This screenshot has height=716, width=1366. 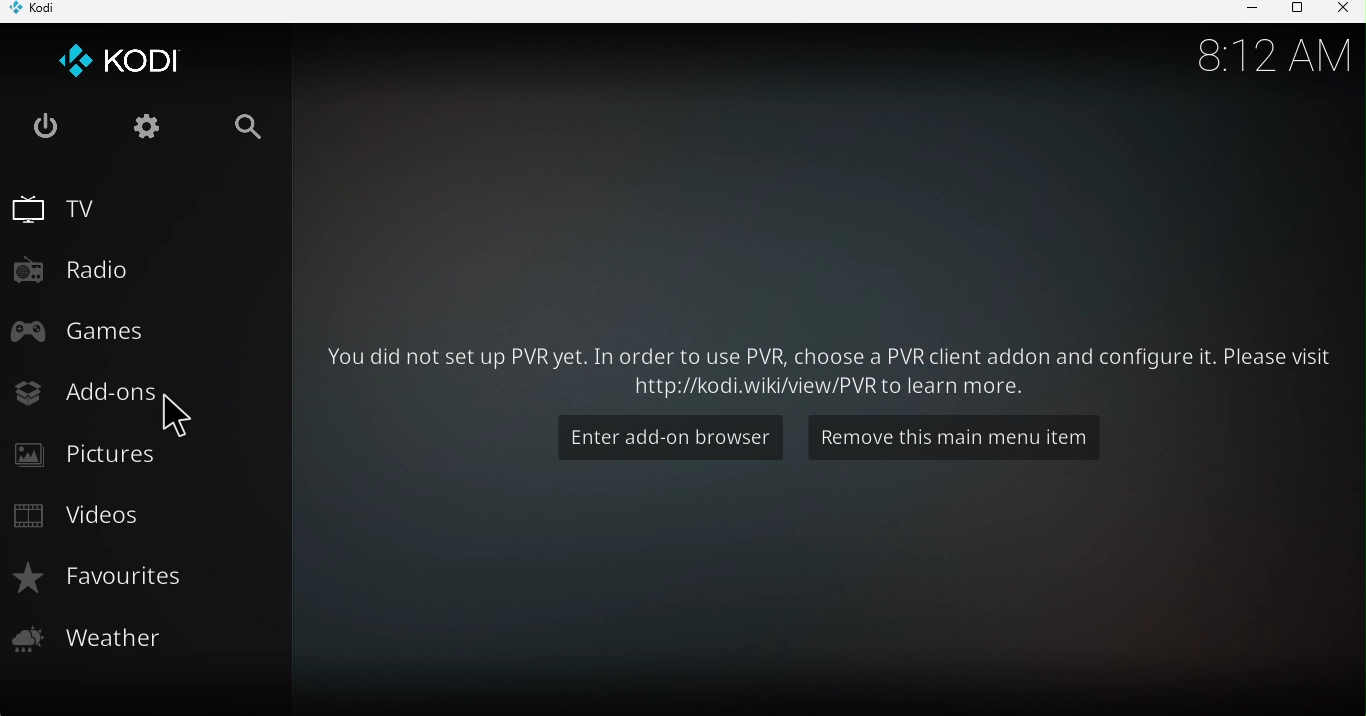 I want to click on Remove this main menu item, so click(x=945, y=435).